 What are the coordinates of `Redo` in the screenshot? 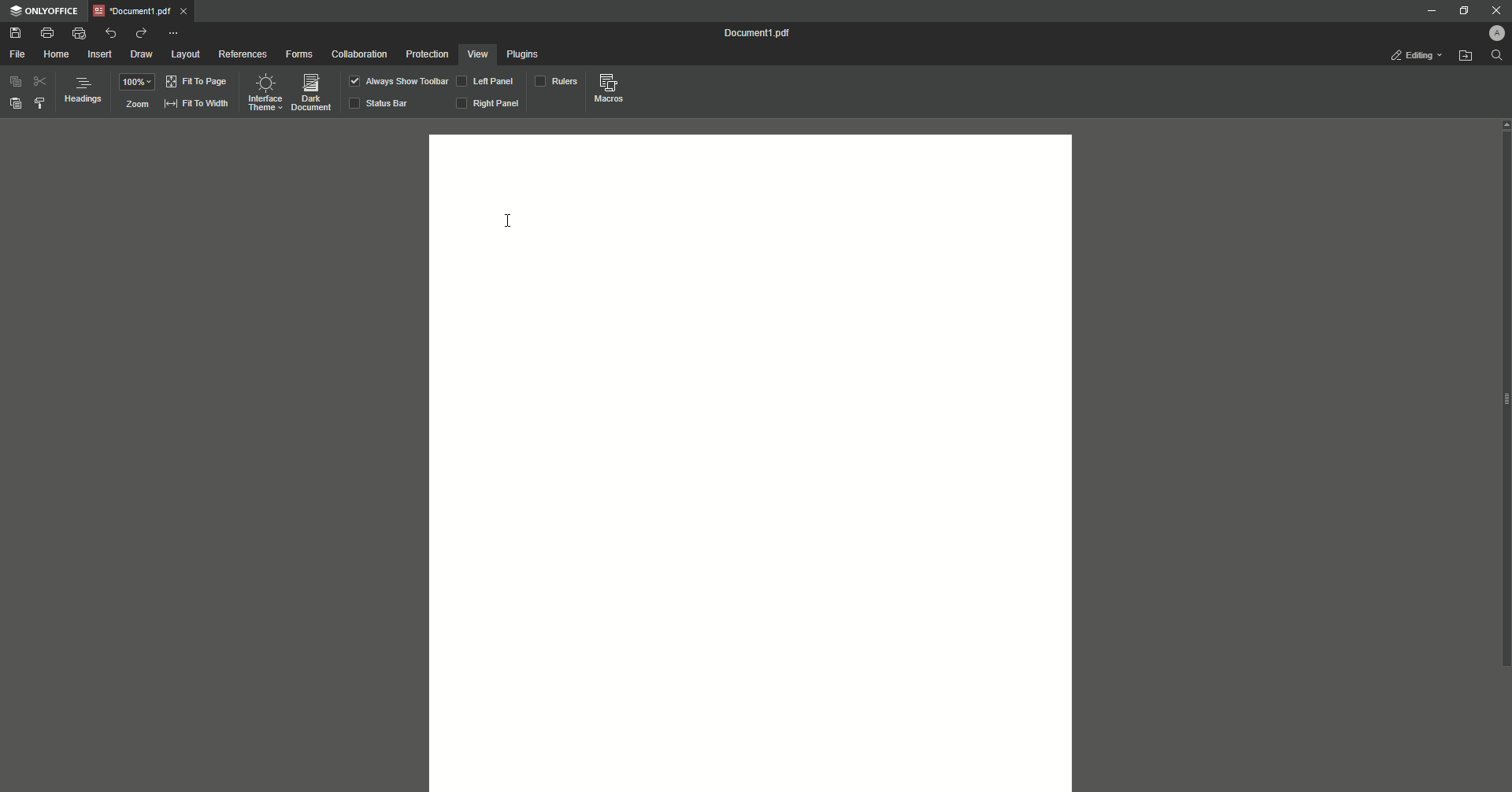 It's located at (141, 33).